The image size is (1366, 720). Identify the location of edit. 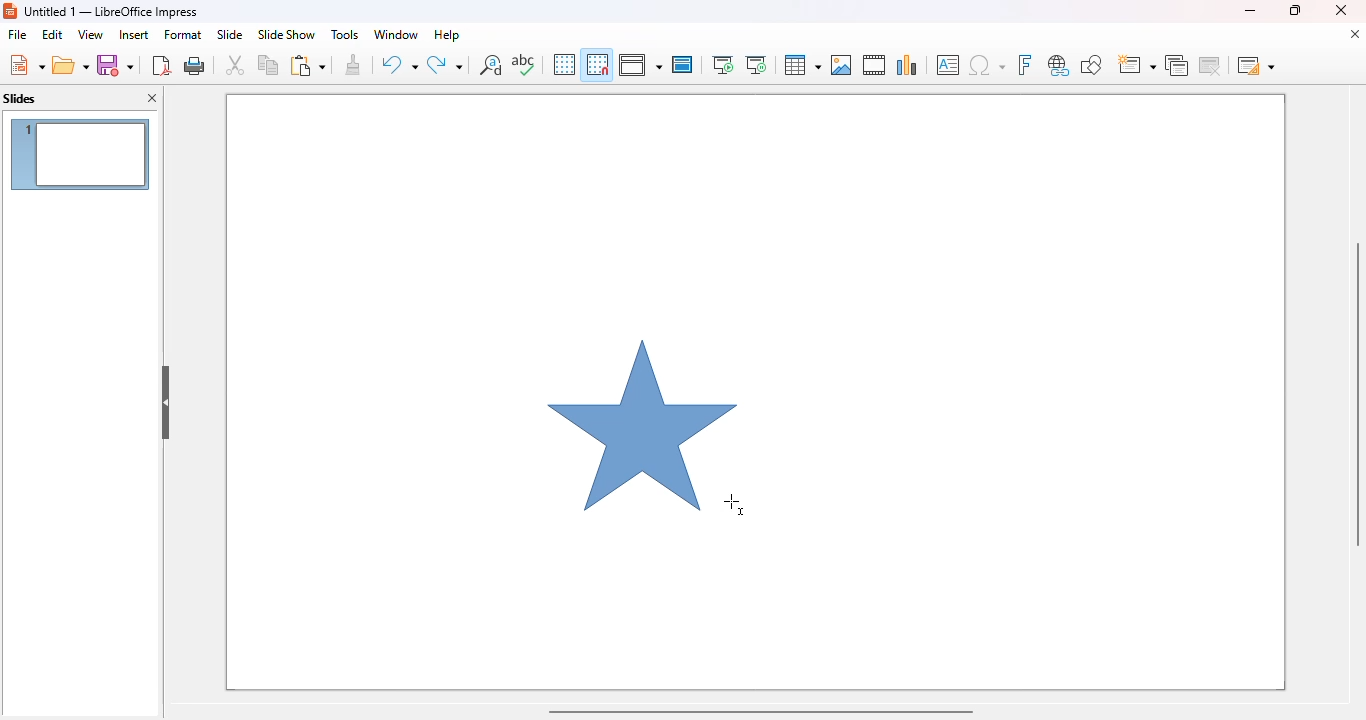
(52, 34).